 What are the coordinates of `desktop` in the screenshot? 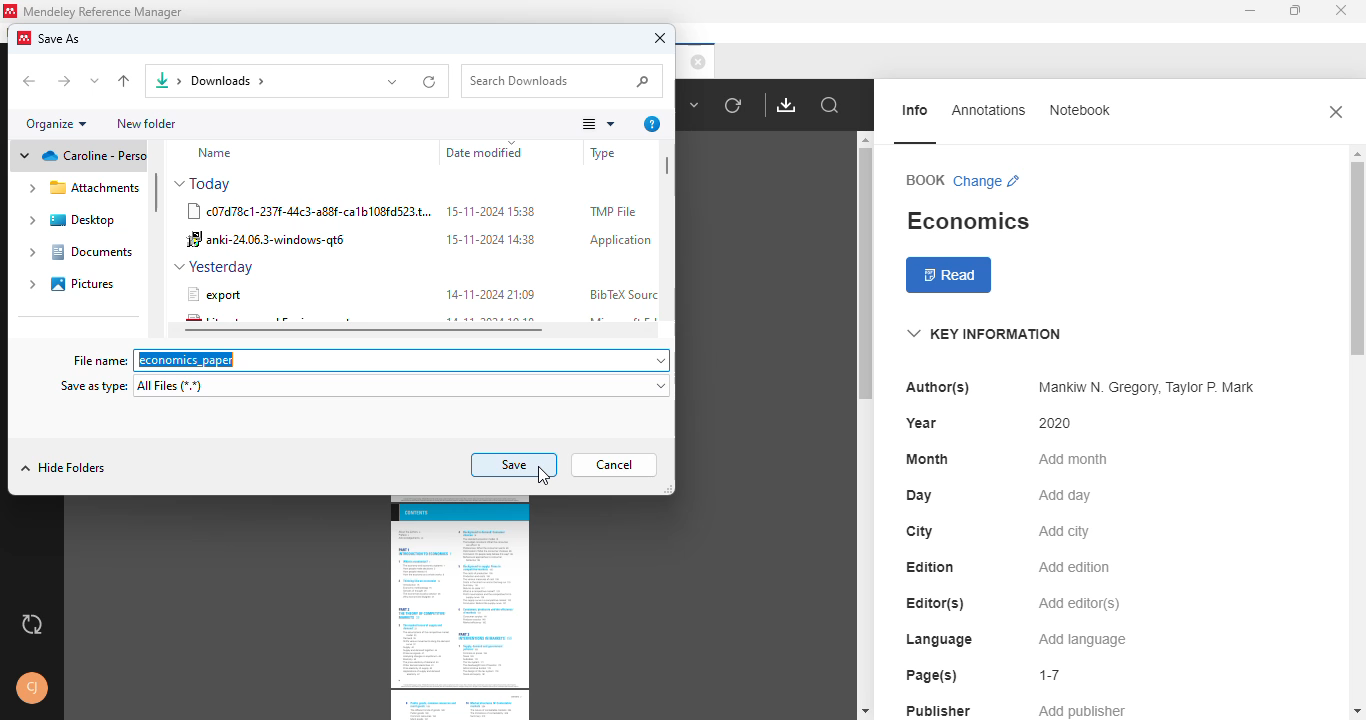 It's located at (75, 220).